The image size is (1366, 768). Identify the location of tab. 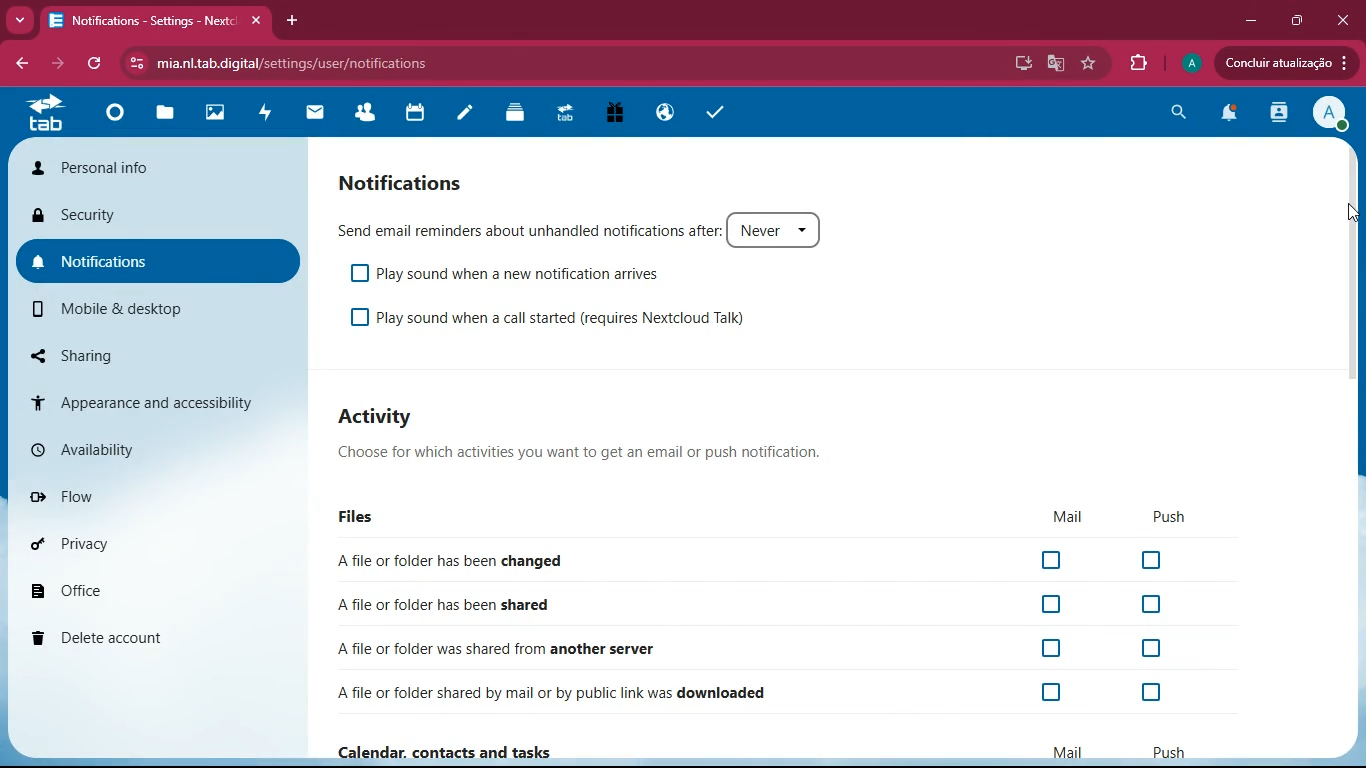
(48, 118).